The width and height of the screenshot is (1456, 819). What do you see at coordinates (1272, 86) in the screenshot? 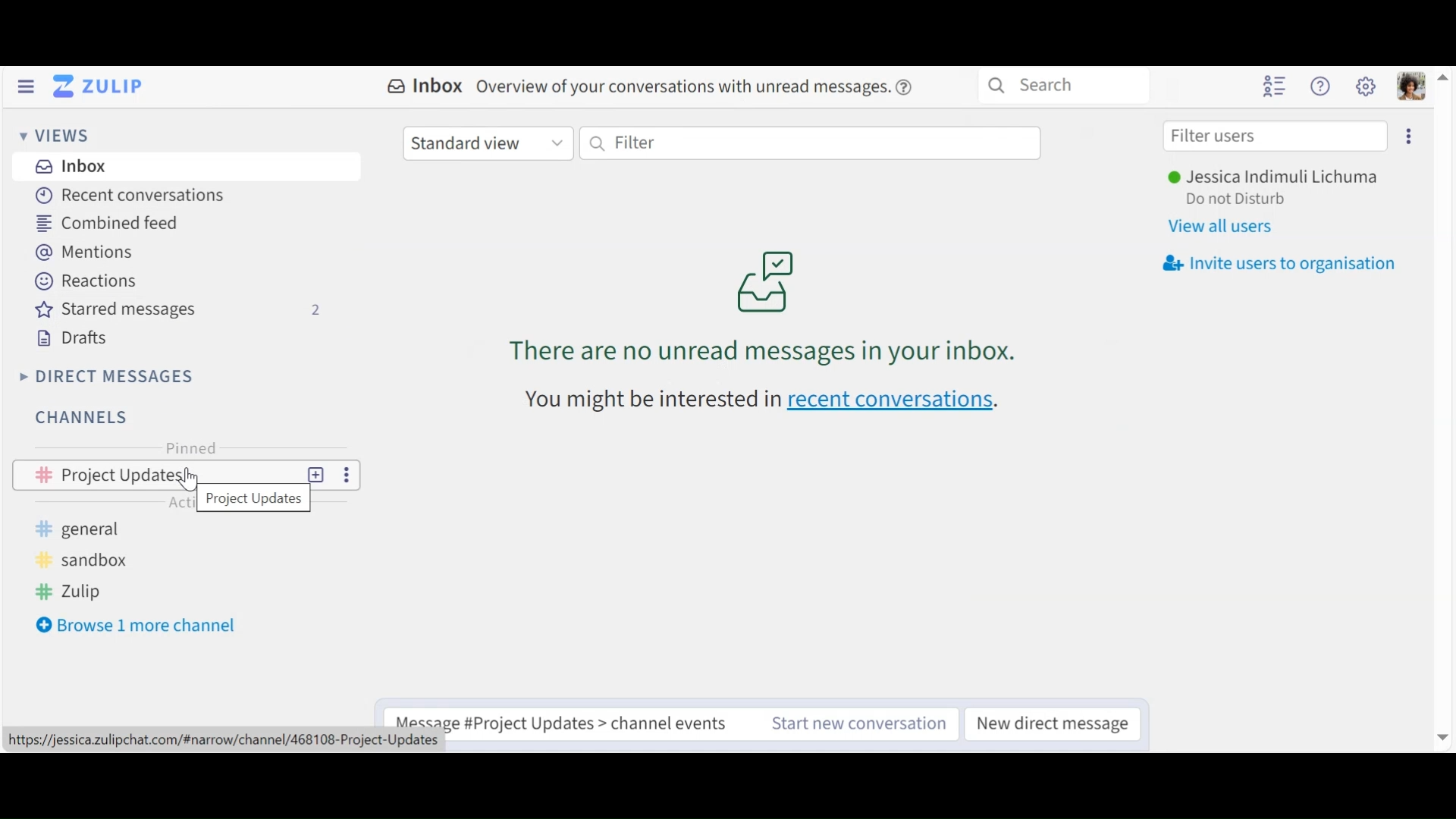
I see `Hide user list` at bounding box center [1272, 86].